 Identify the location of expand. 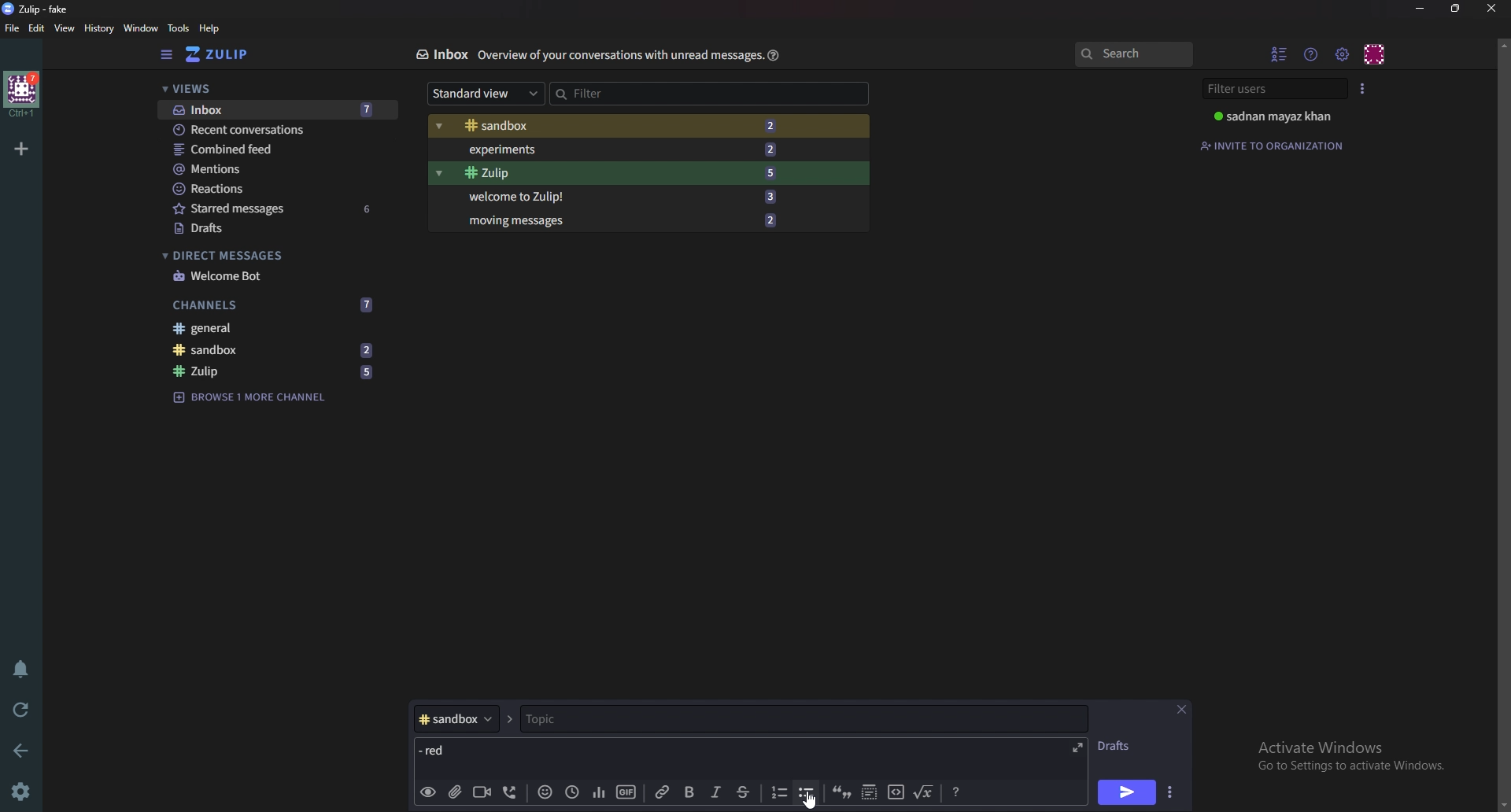
(1075, 747).